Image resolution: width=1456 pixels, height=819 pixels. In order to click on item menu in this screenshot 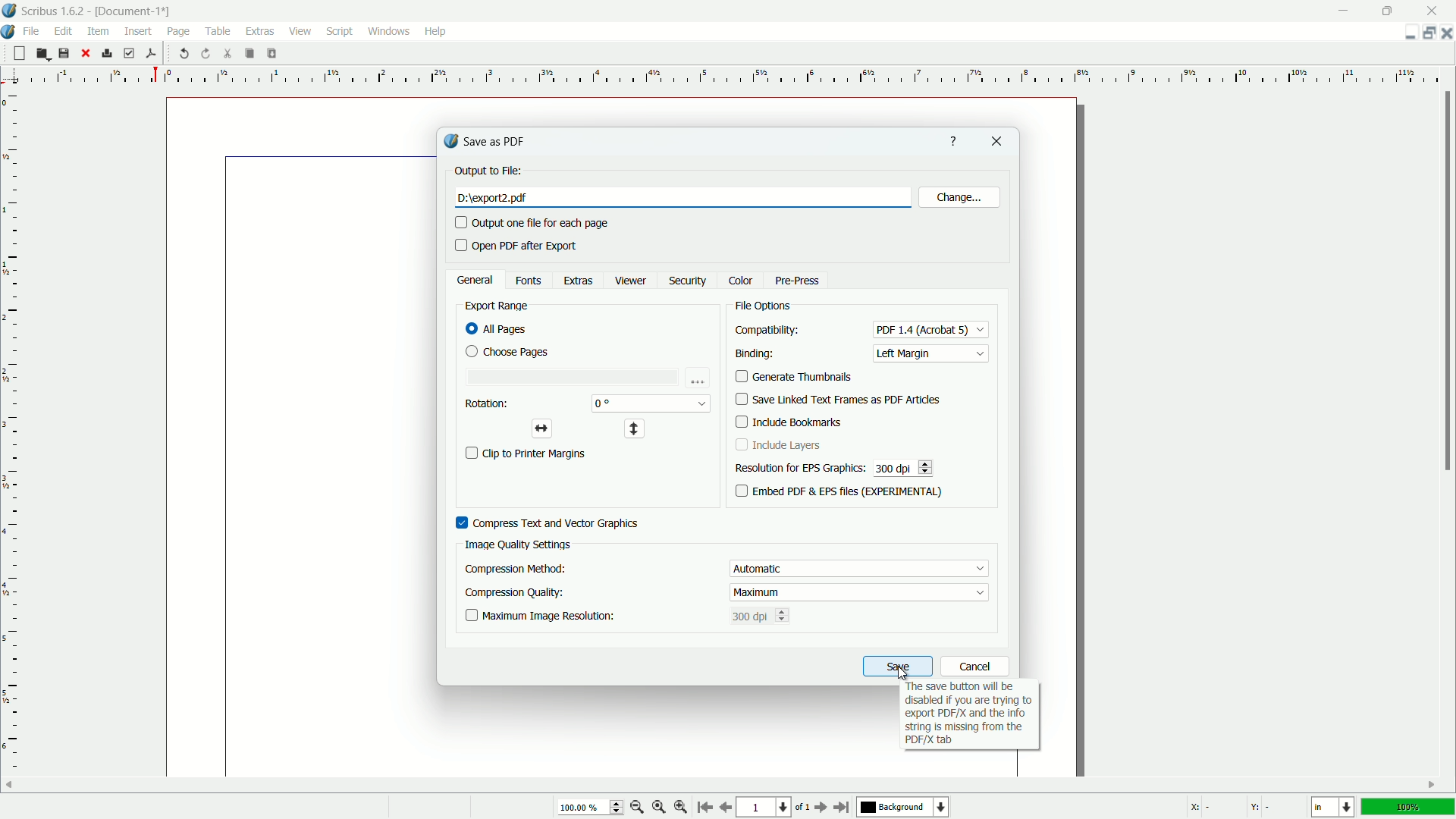, I will do `click(98, 33)`.